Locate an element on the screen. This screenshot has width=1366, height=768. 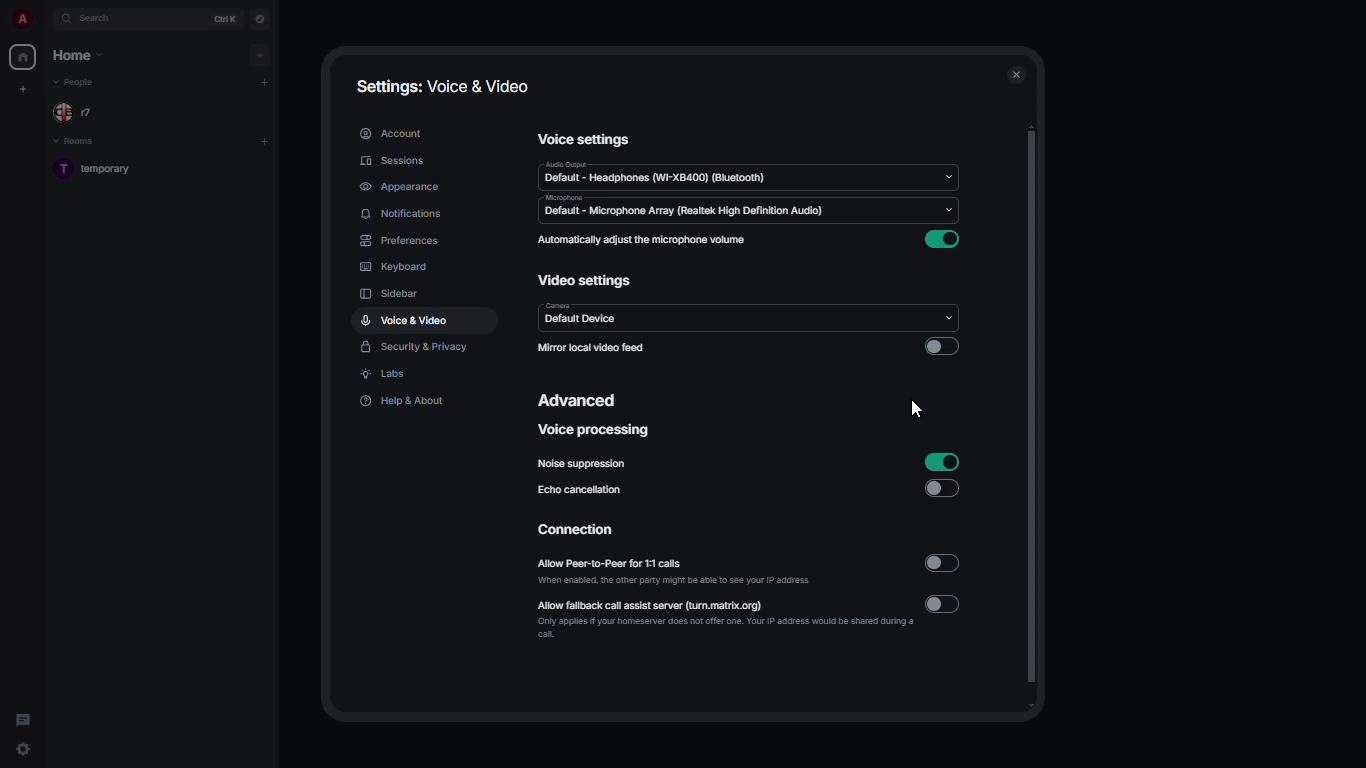
camera default is located at coordinates (584, 314).